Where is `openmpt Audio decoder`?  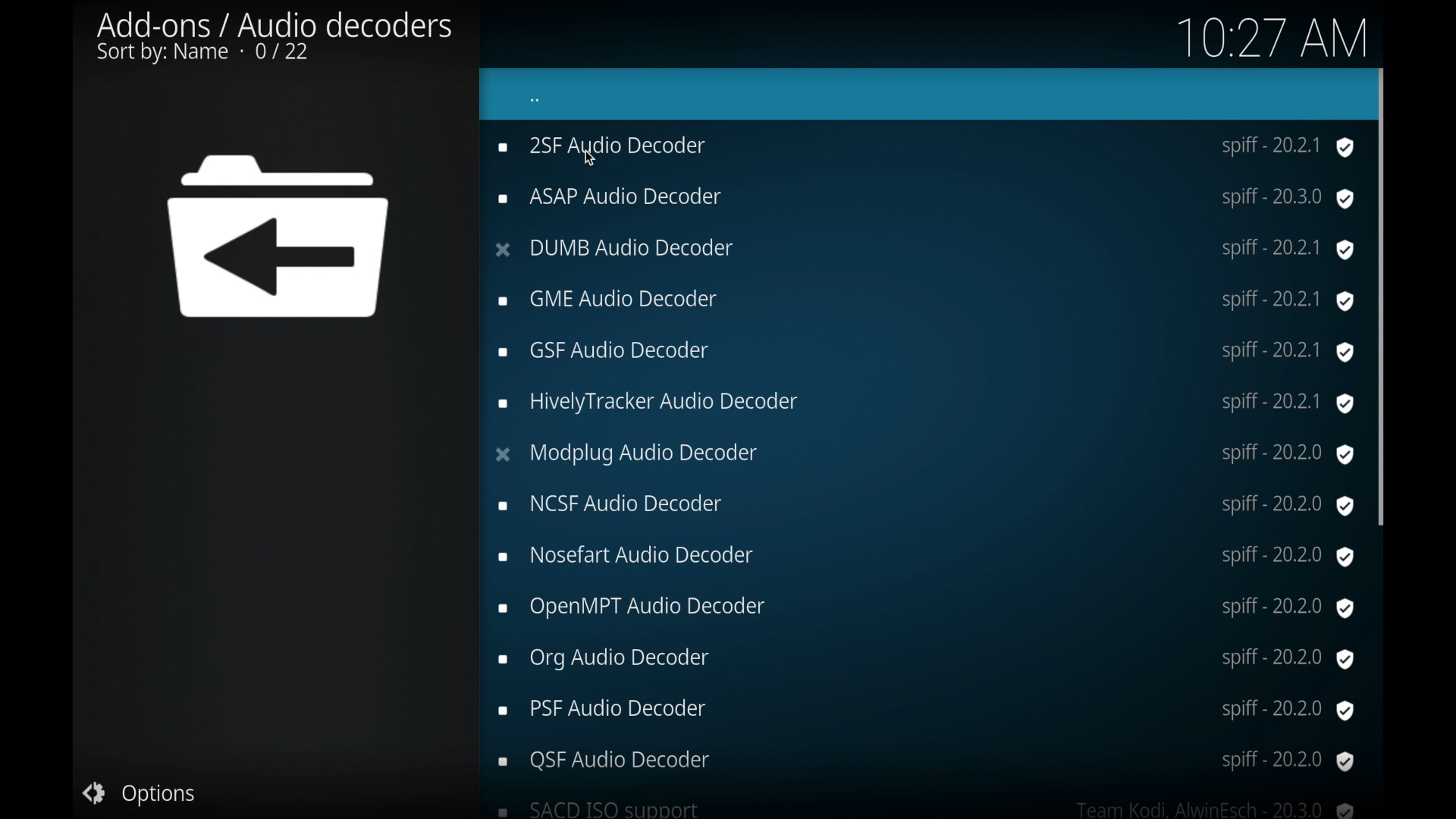 openmpt Audio decoder is located at coordinates (925, 608).